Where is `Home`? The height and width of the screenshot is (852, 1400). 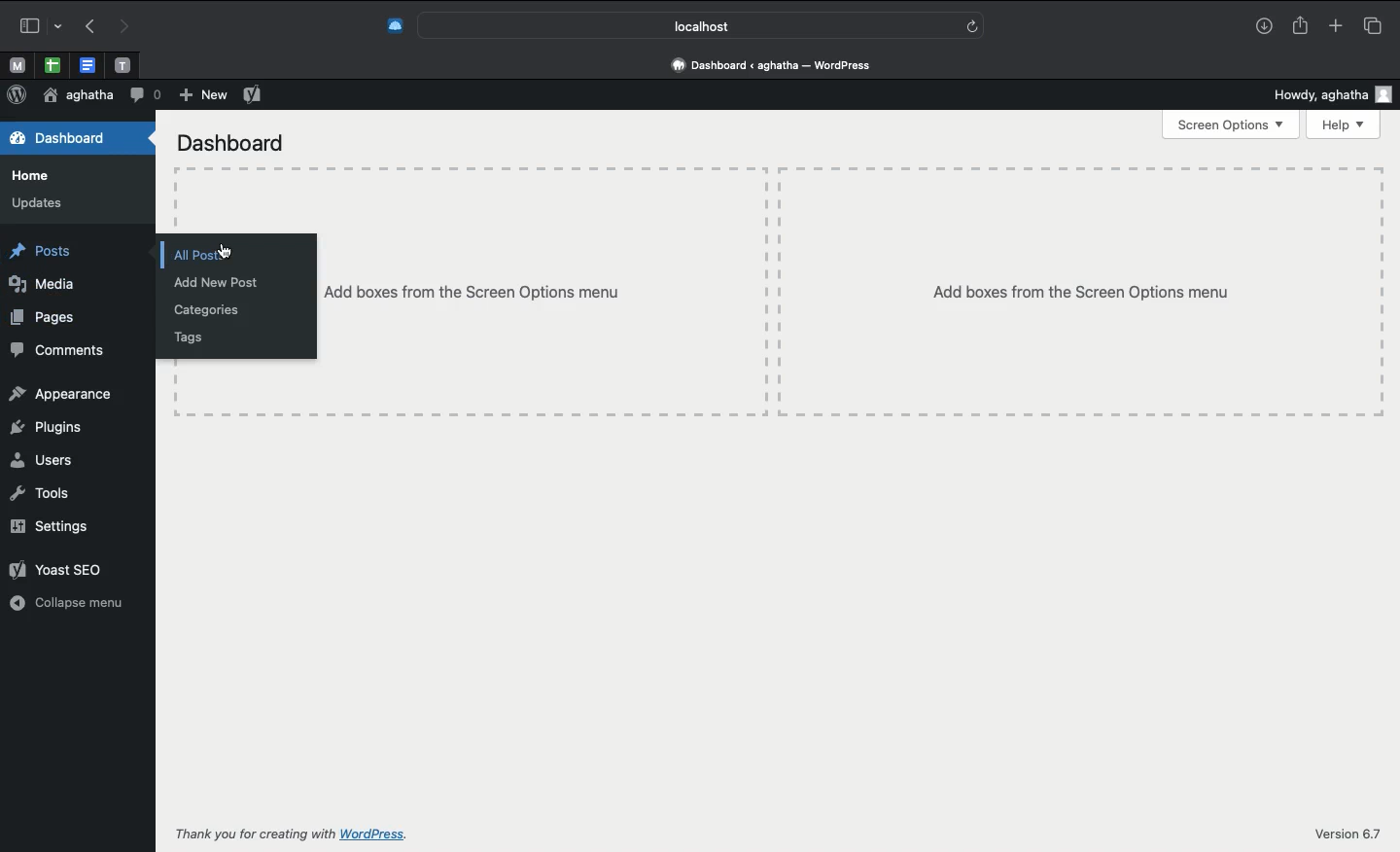 Home is located at coordinates (39, 176).